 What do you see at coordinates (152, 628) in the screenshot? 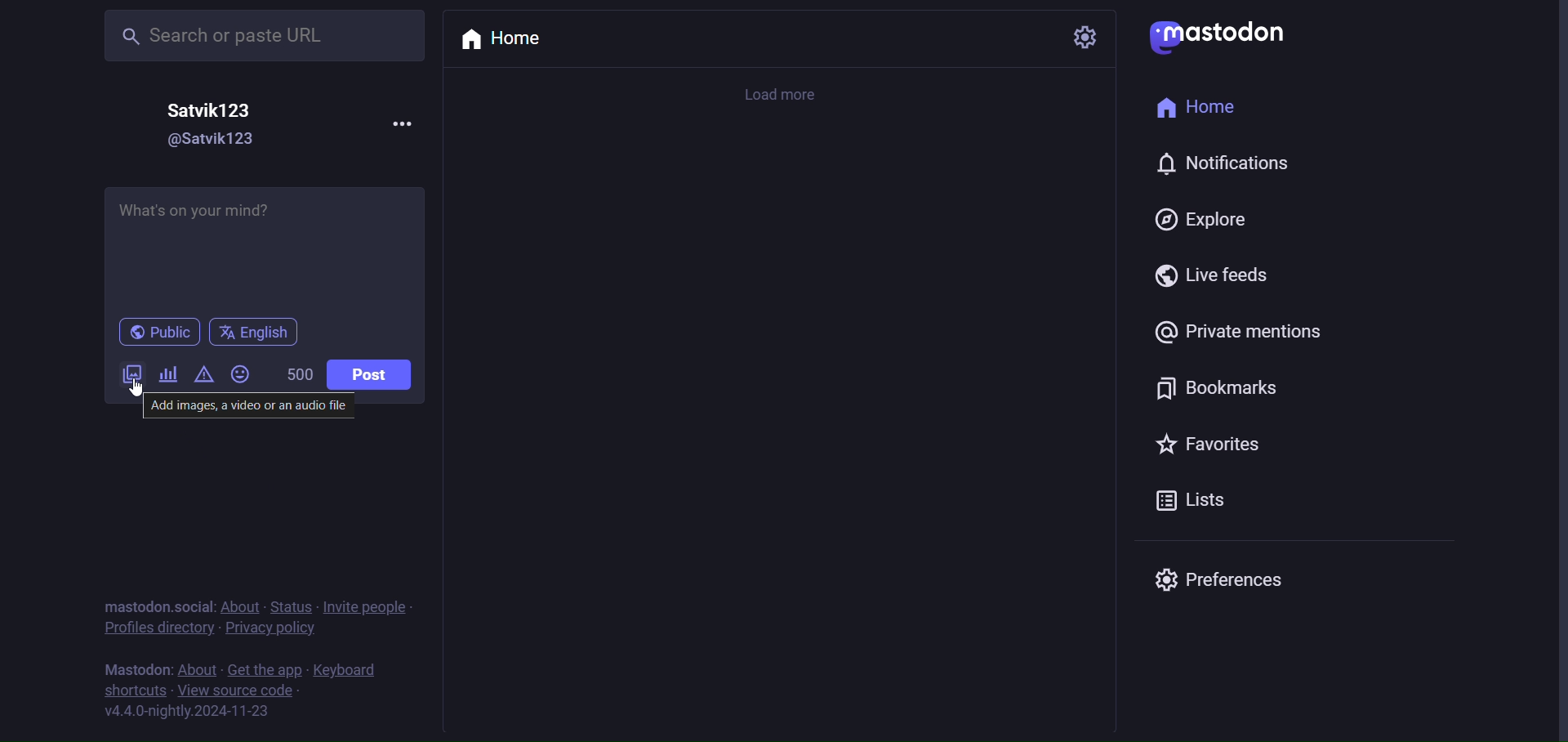
I see `profile` at bounding box center [152, 628].